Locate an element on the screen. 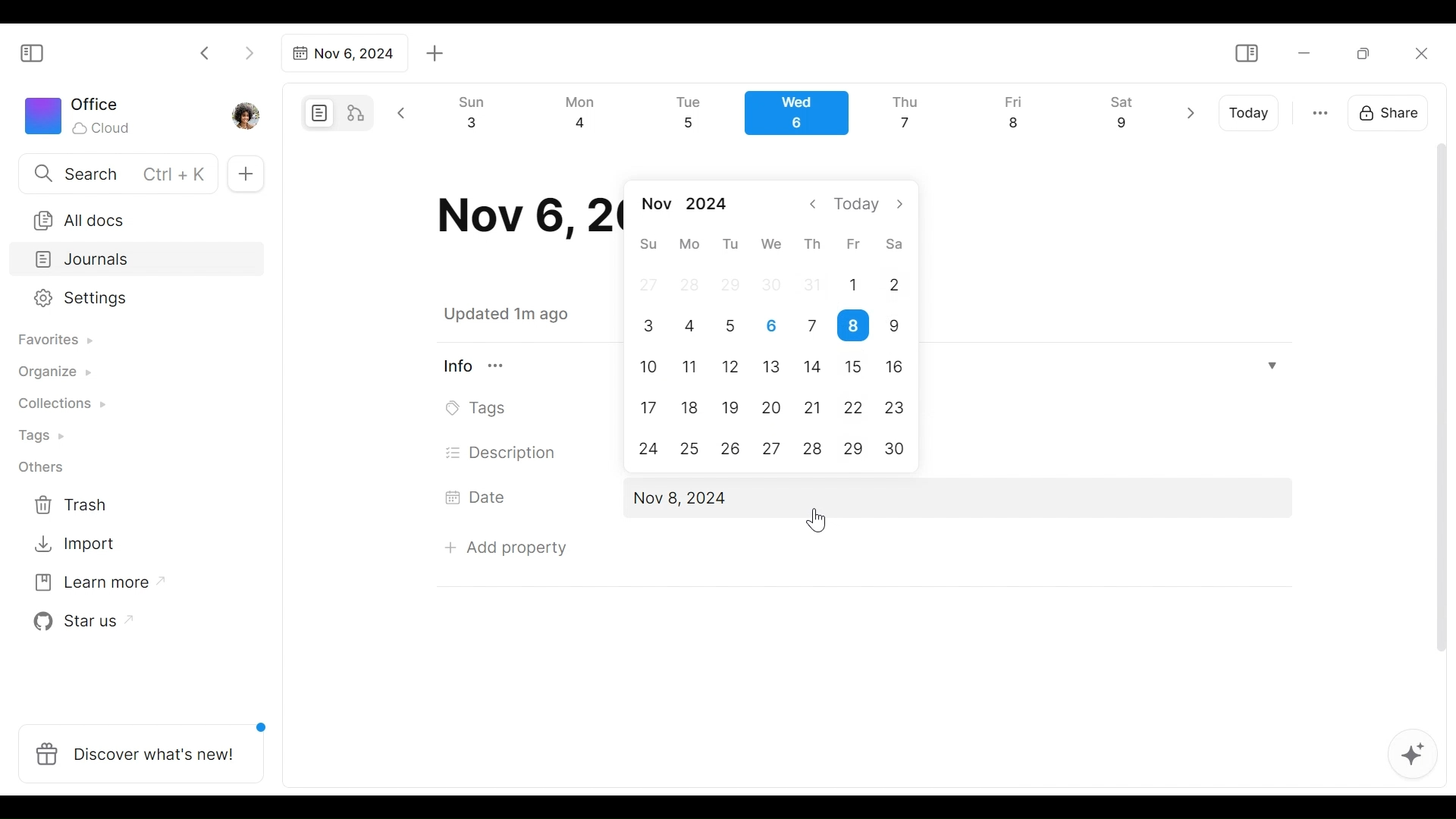 Image resolution: width=1456 pixels, height=819 pixels. Description is located at coordinates (502, 453).